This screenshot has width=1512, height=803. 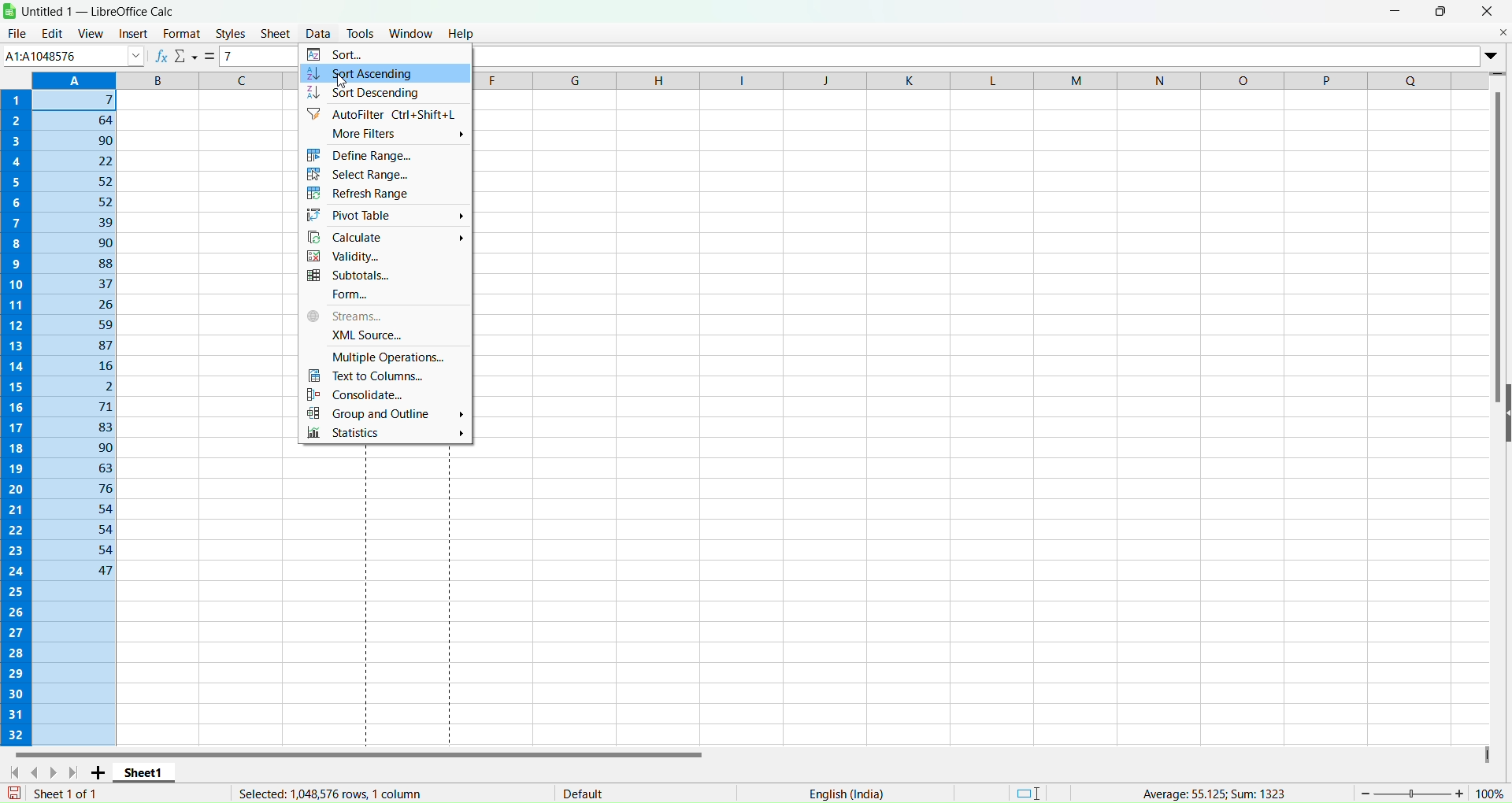 I want to click on Insert, so click(x=131, y=34).